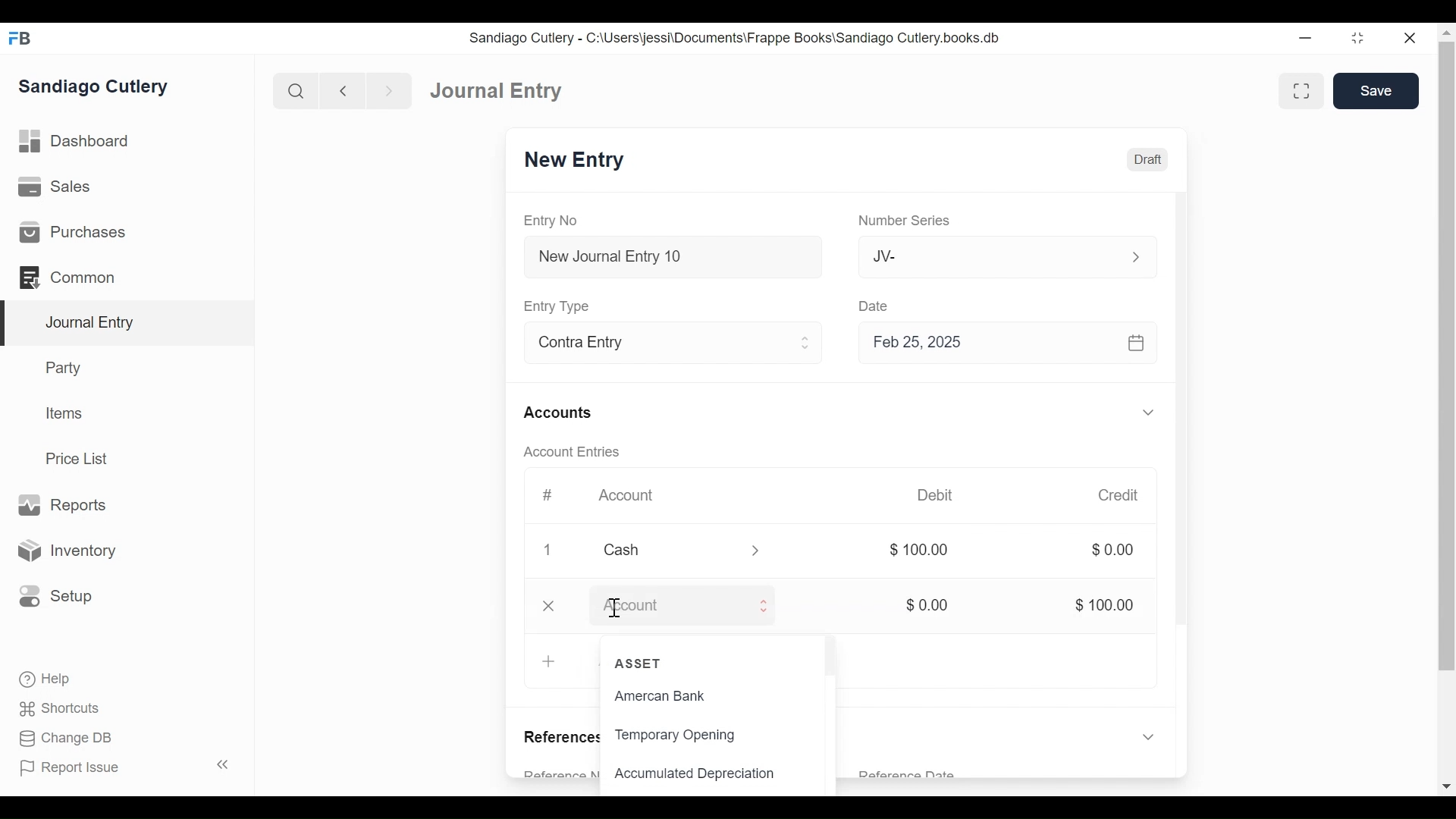 This screenshot has height=819, width=1456. I want to click on Journal Entry, so click(128, 323).